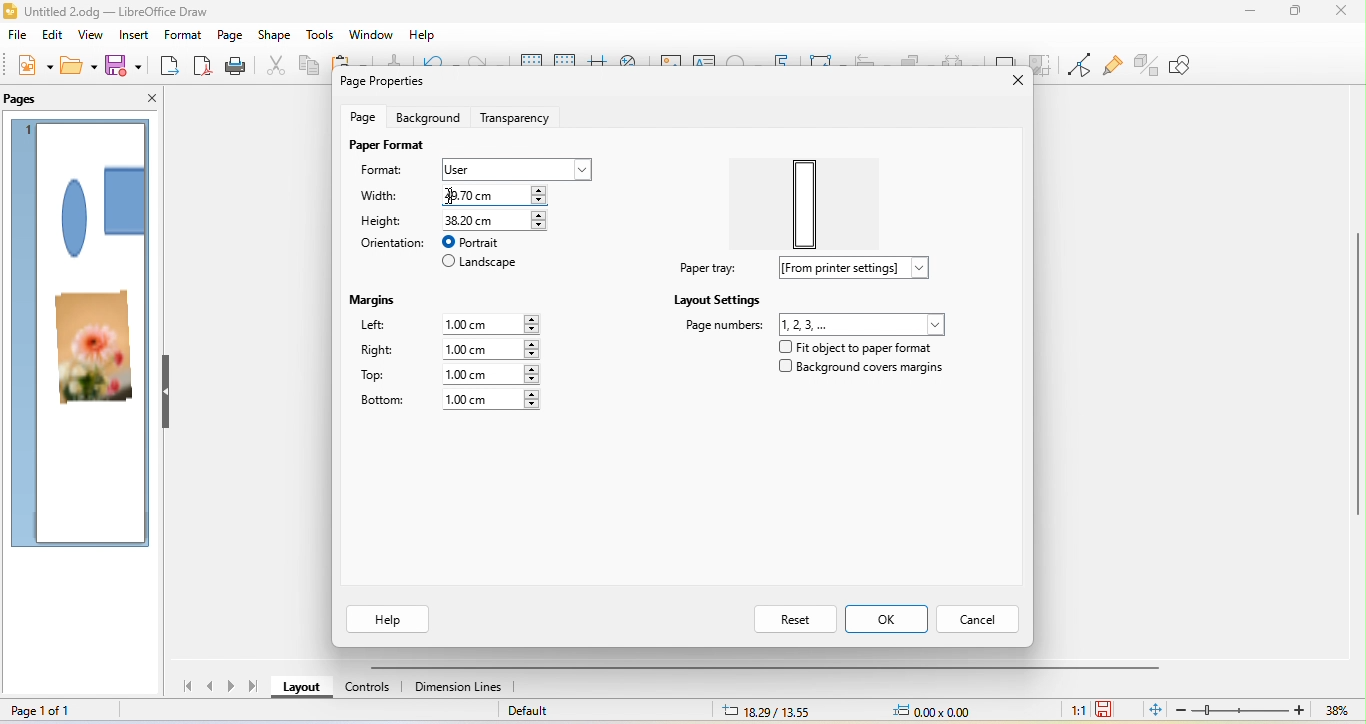 The width and height of the screenshot is (1366, 724). I want to click on layout settings, so click(721, 299).